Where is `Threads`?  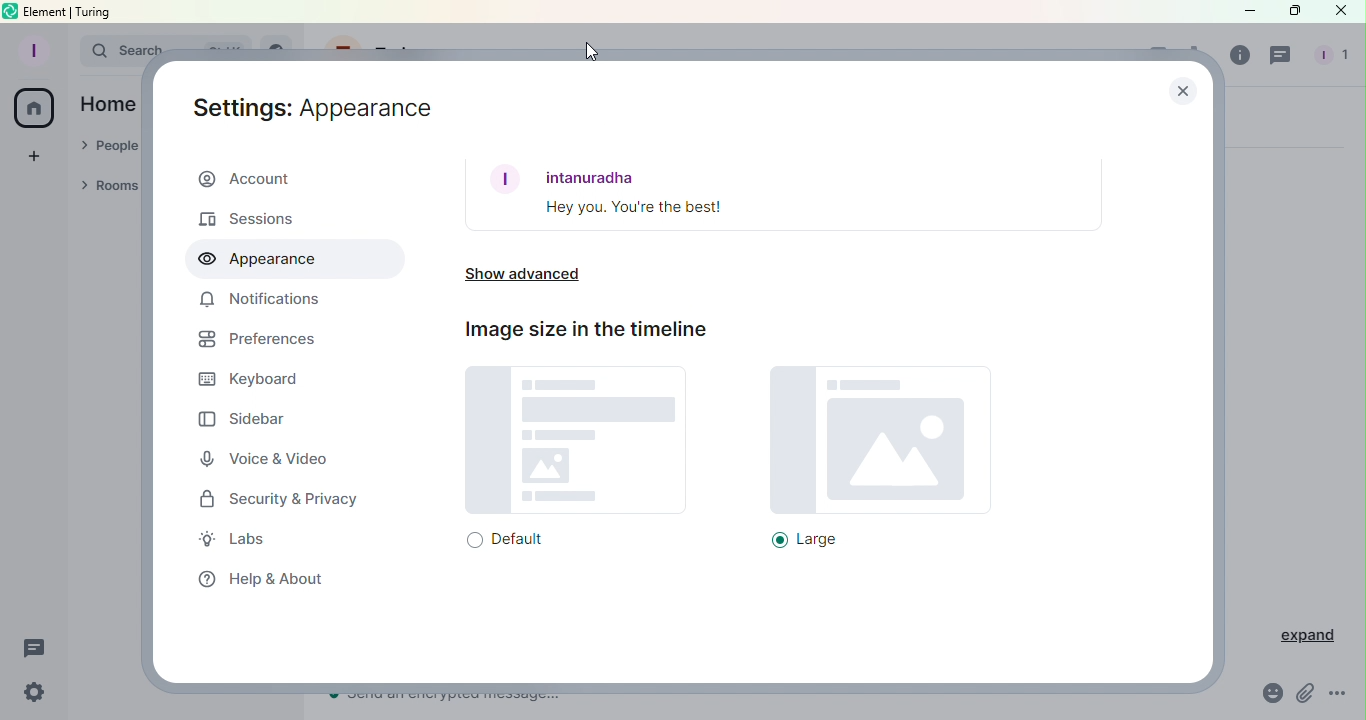
Threads is located at coordinates (1283, 56).